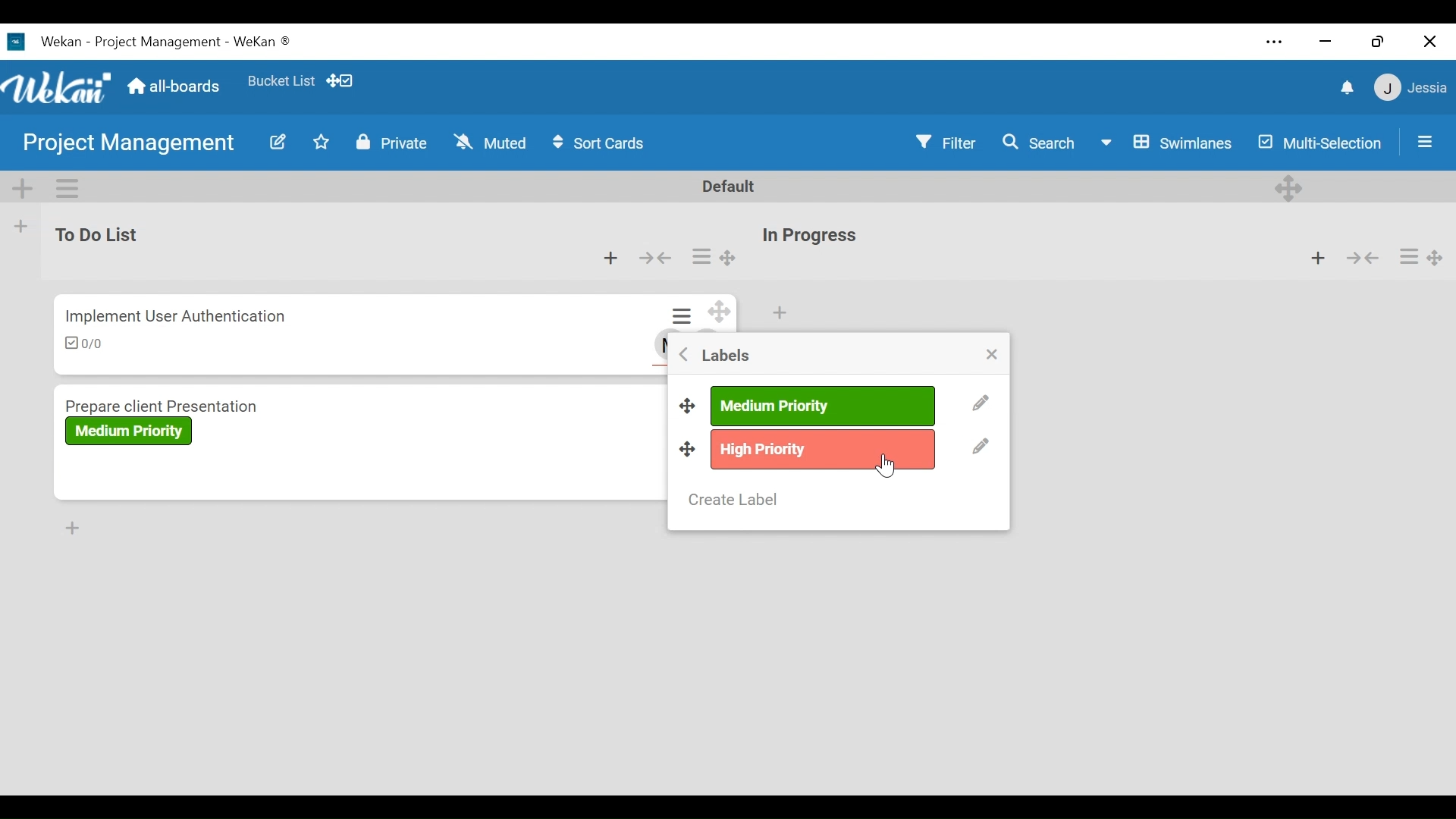 Image resolution: width=1456 pixels, height=819 pixels. I want to click on Search, so click(1034, 143).